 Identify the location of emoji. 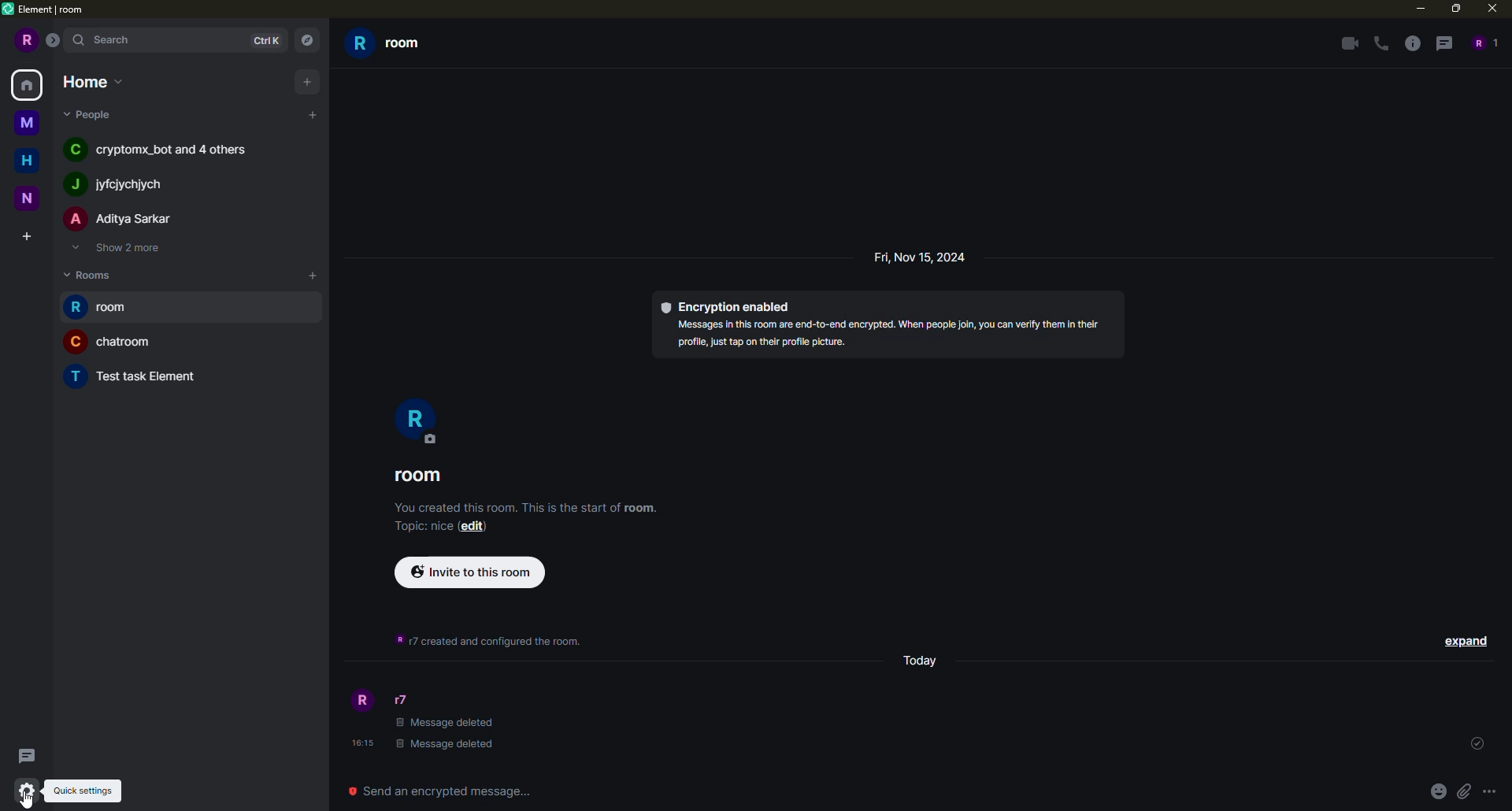
(1438, 791).